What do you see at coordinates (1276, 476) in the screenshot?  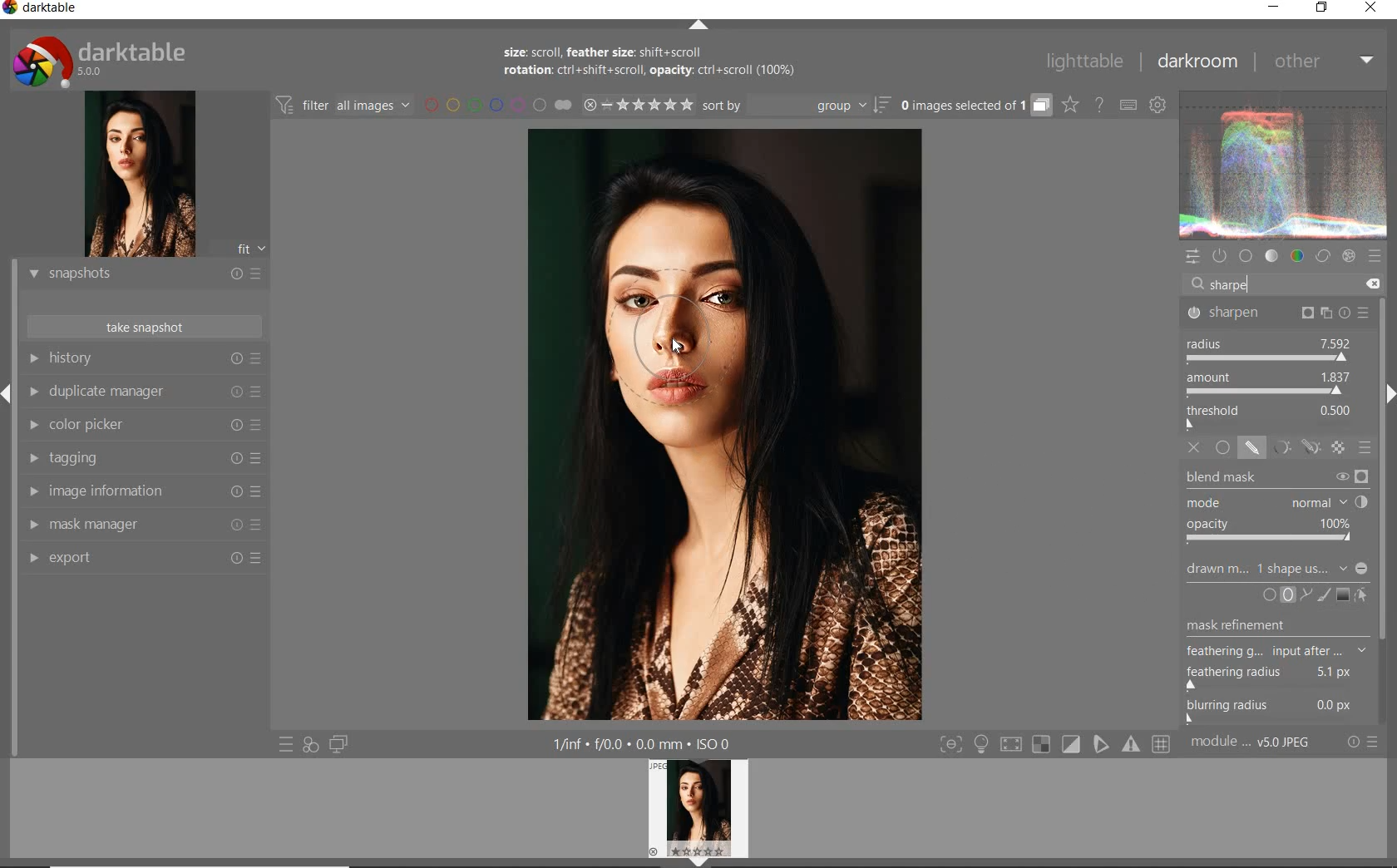 I see `BLEND MASK` at bounding box center [1276, 476].